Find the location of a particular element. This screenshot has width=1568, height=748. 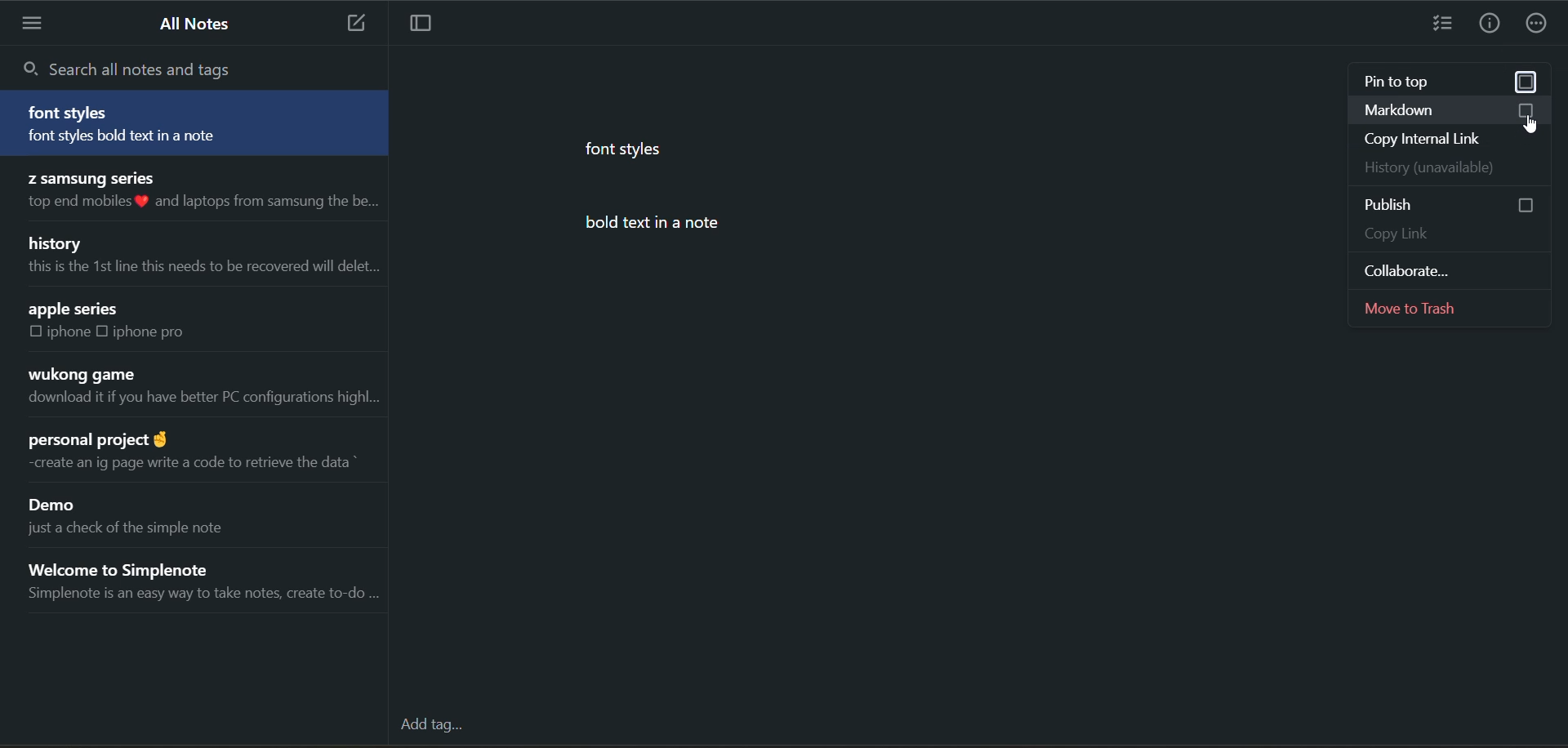

insert checklist is located at coordinates (1443, 25).